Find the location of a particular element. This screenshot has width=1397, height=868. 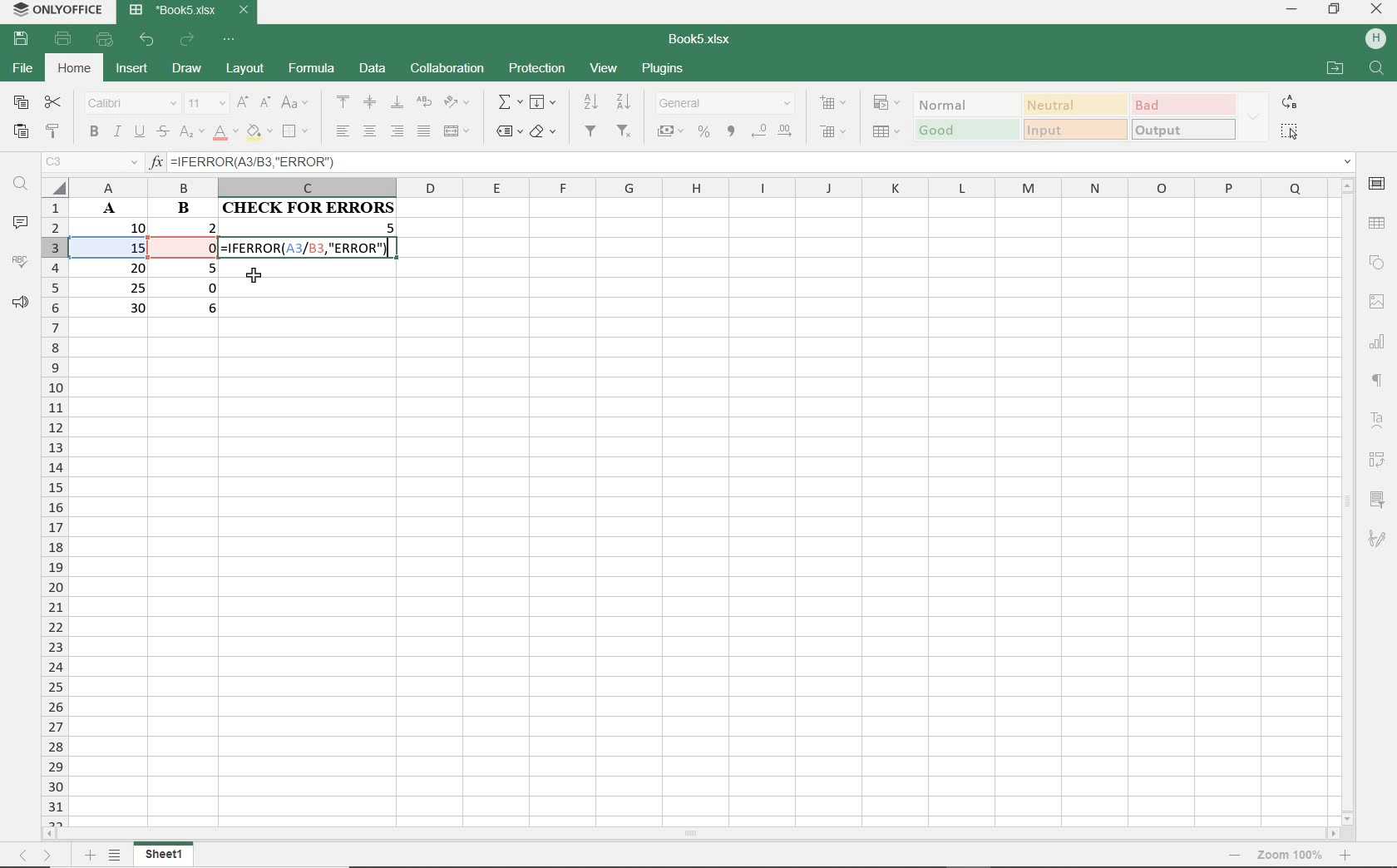

COMMENTS is located at coordinates (19, 223).